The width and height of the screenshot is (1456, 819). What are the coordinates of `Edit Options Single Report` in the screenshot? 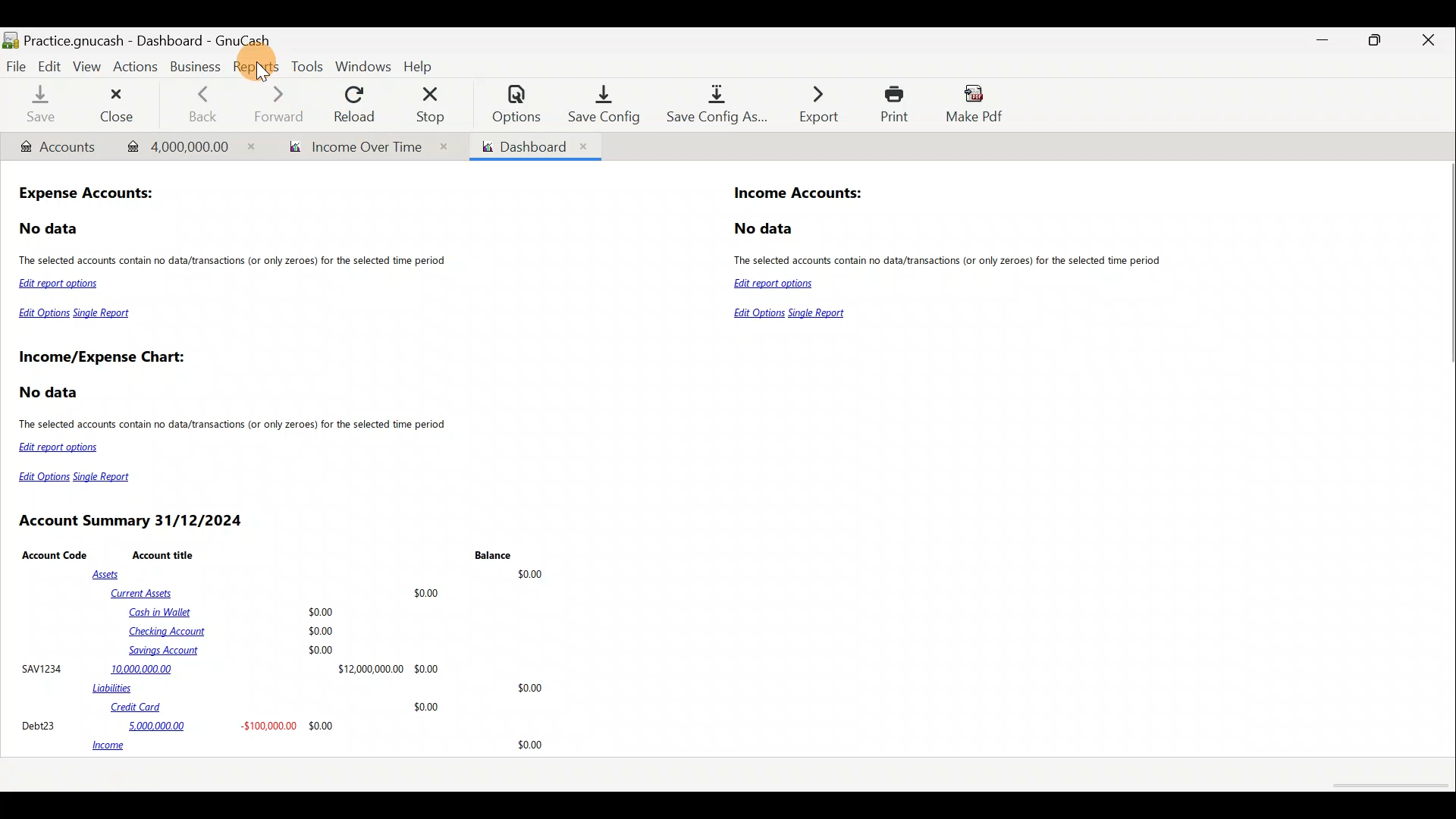 It's located at (80, 477).